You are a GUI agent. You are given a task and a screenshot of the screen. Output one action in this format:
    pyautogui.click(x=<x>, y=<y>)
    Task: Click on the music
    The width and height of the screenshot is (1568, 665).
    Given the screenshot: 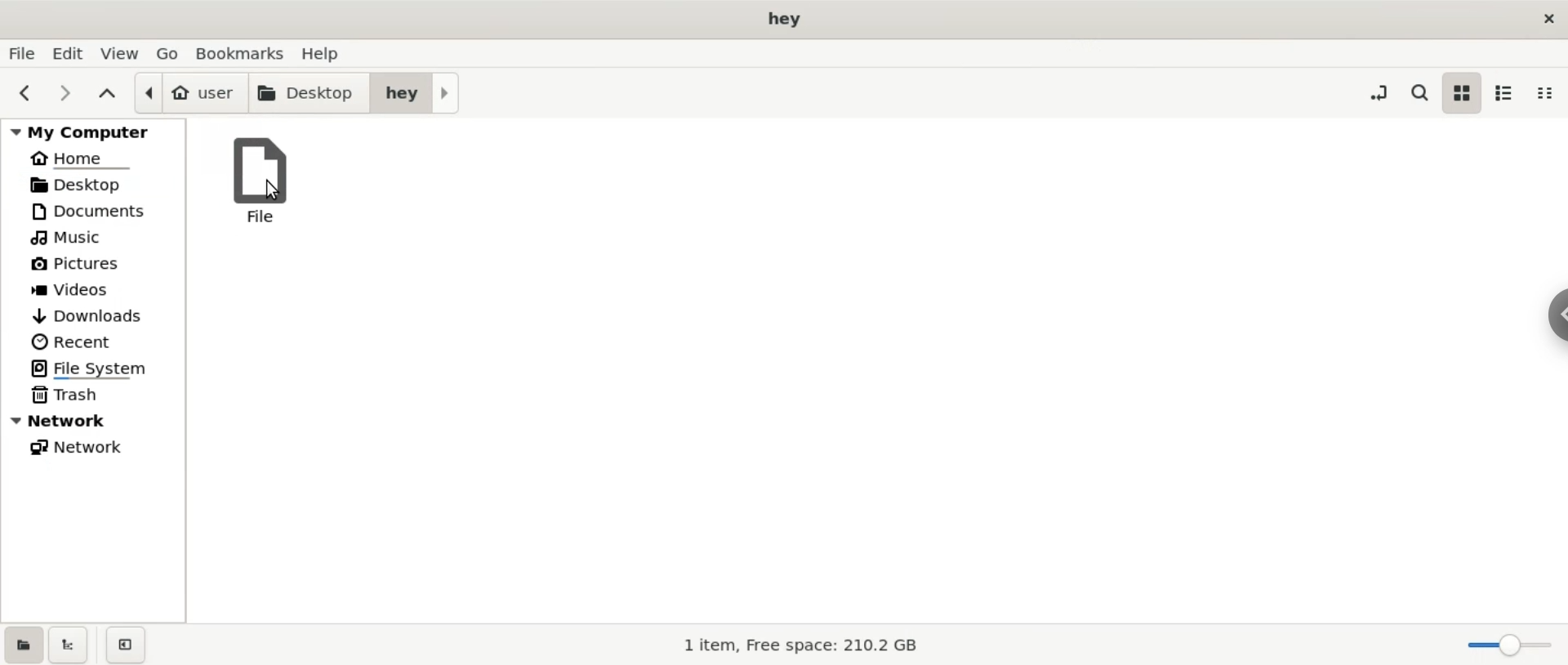 What is the action you would take?
    pyautogui.click(x=99, y=235)
    